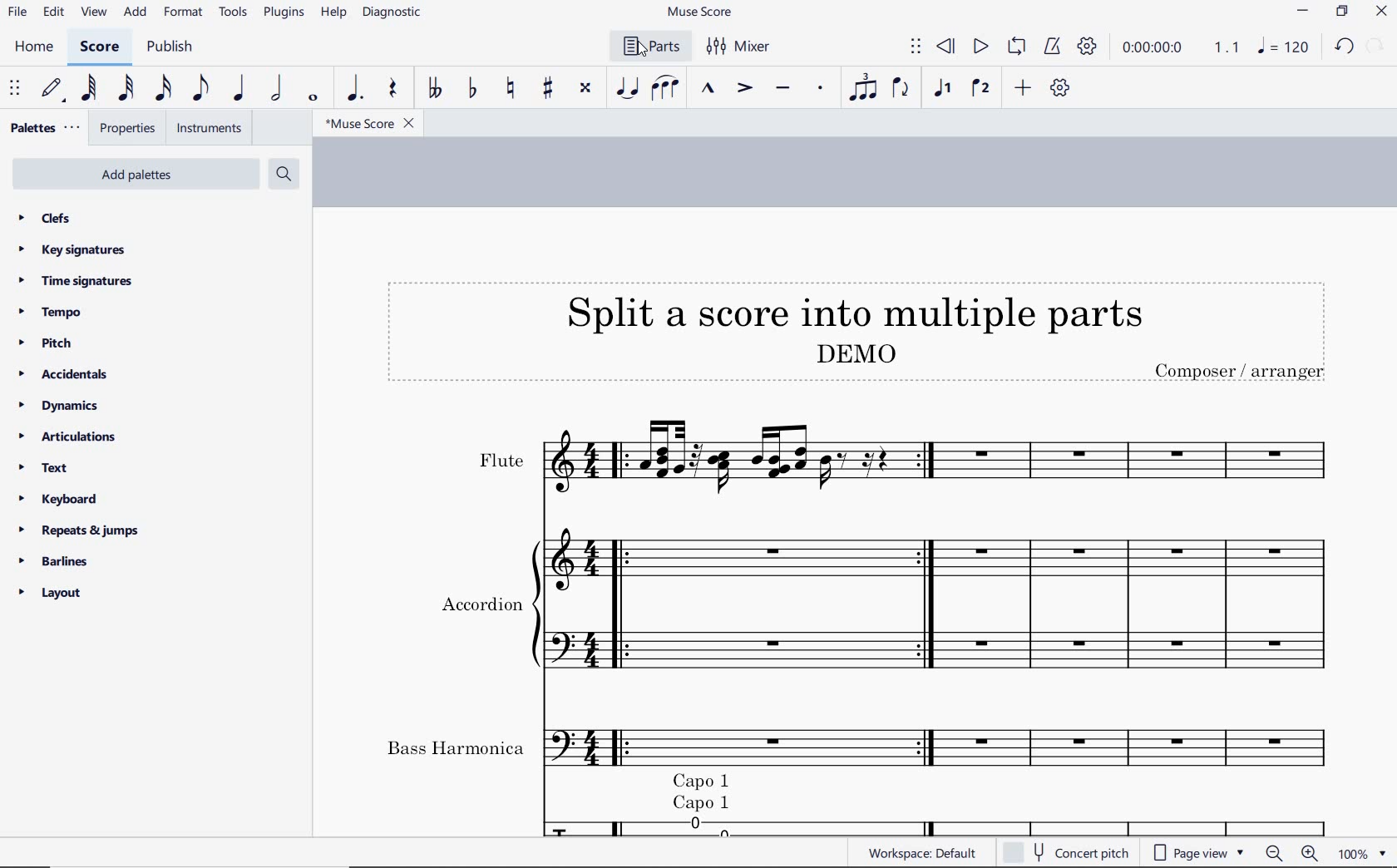 This screenshot has width=1397, height=868. What do you see at coordinates (434, 89) in the screenshot?
I see `toggle double-flat` at bounding box center [434, 89].